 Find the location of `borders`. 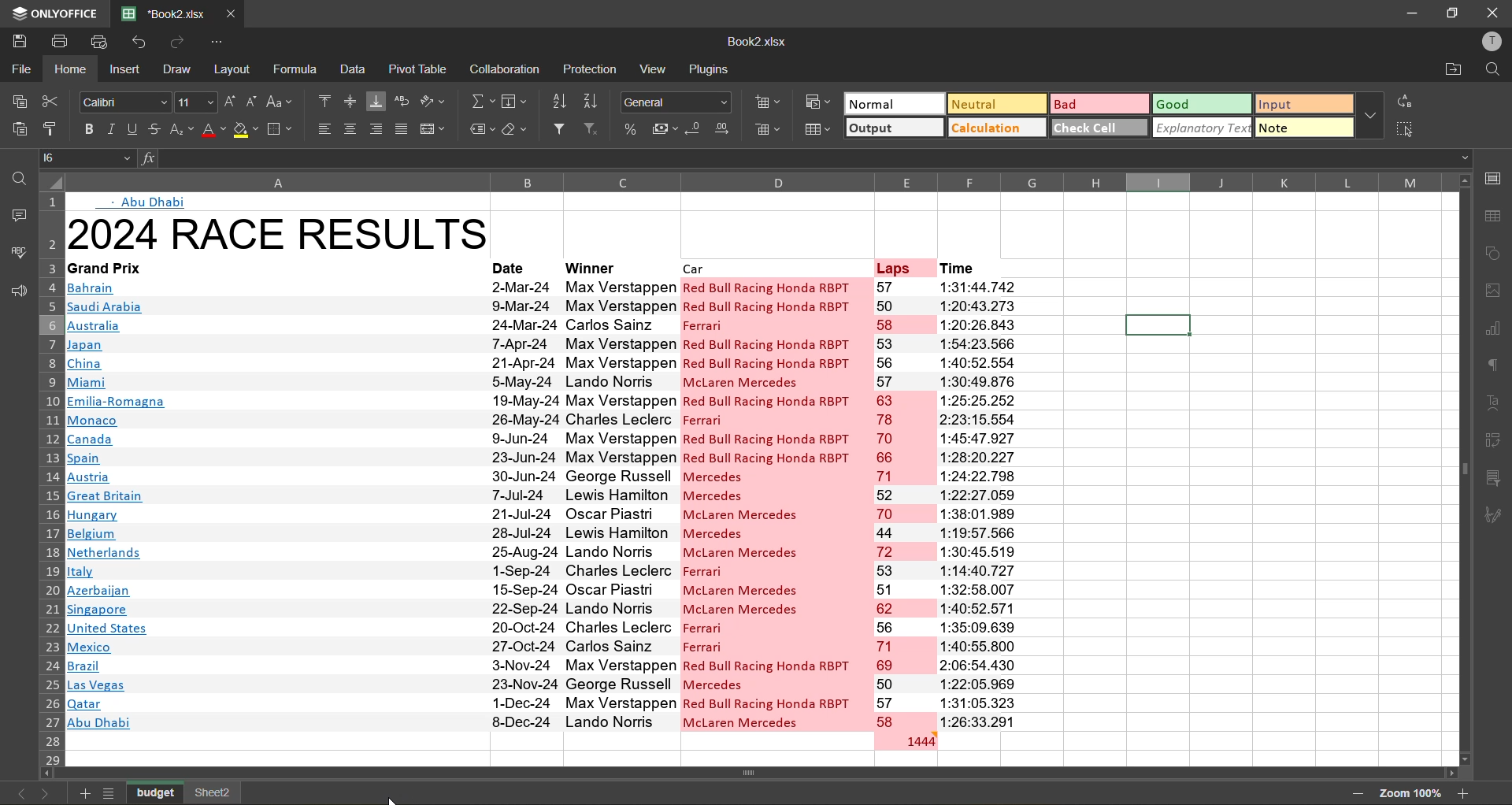

borders is located at coordinates (282, 128).